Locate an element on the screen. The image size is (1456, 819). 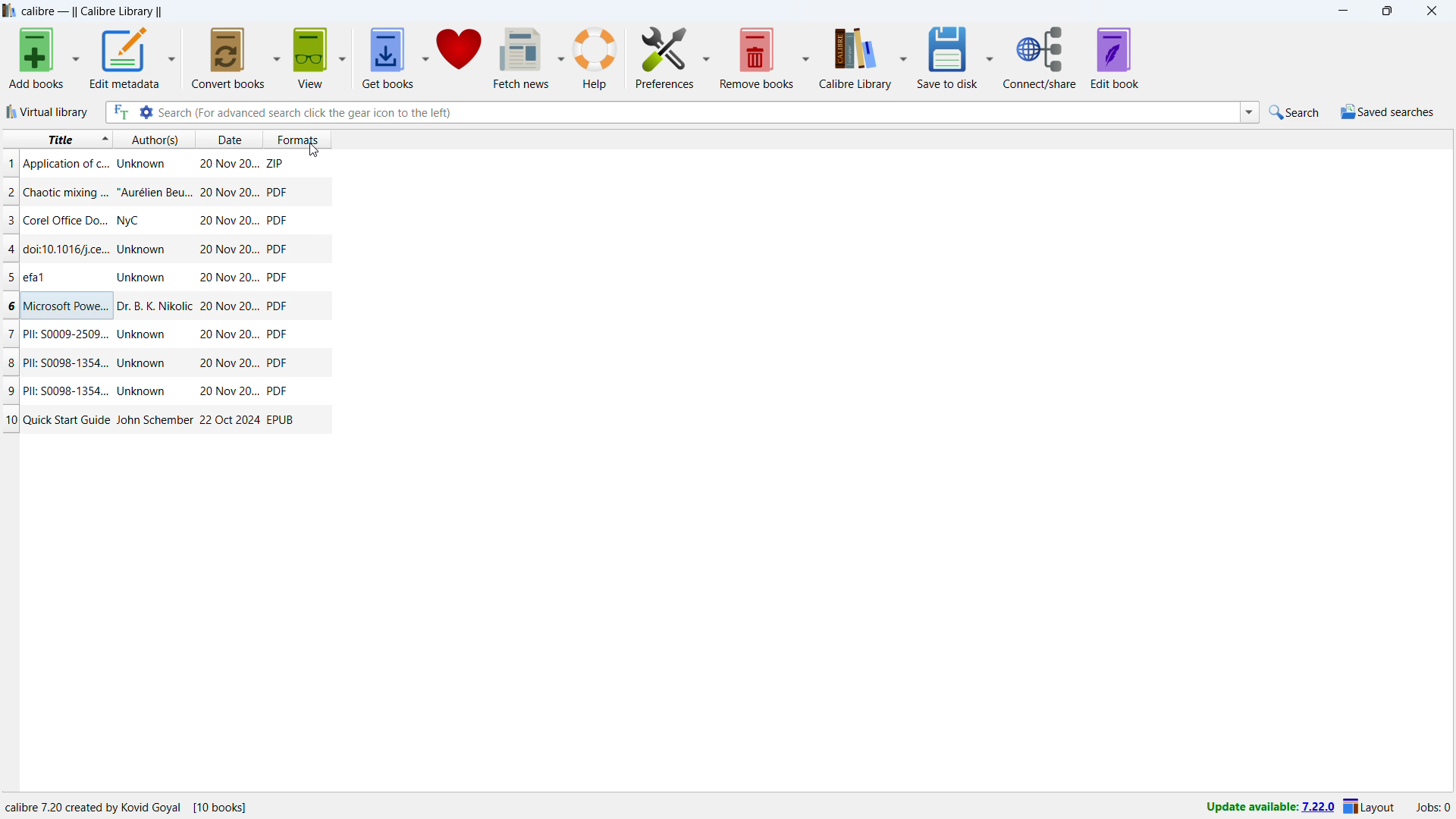
8 is located at coordinates (9, 362).